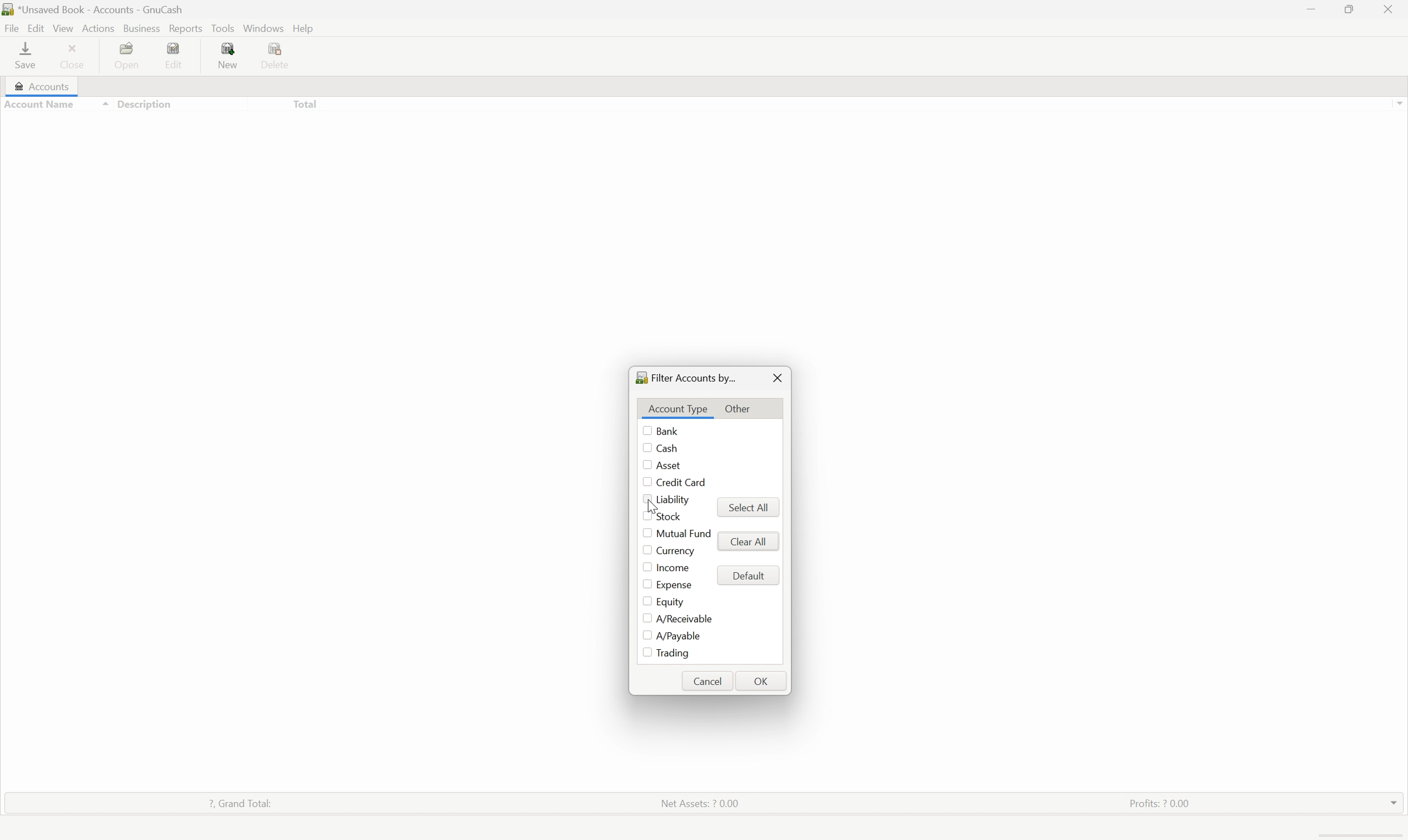 Image resolution: width=1408 pixels, height=840 pixels. I want to click on Income, so click(673, 569).